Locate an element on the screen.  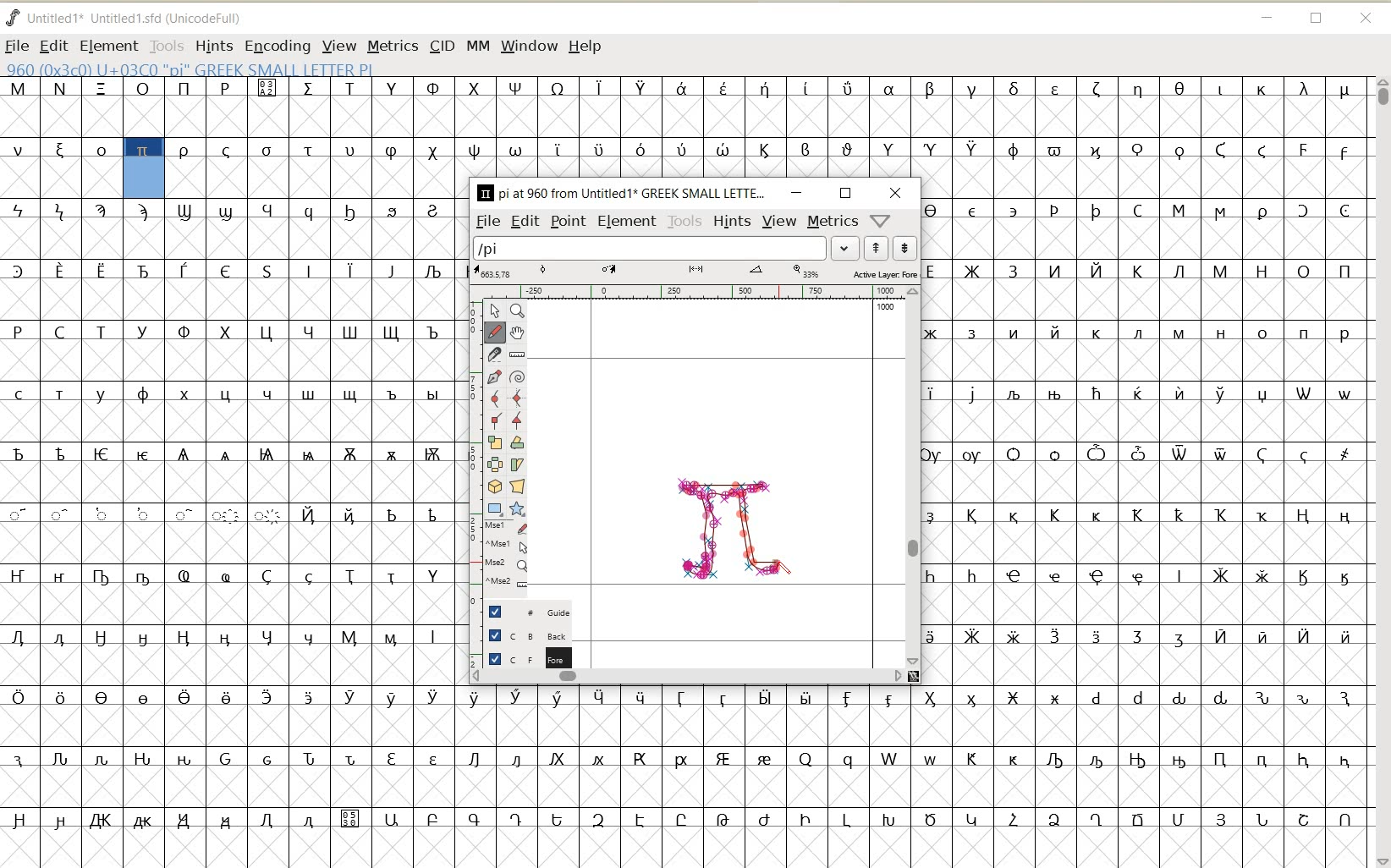
scroll by hand is located at coordinates (517, 333).